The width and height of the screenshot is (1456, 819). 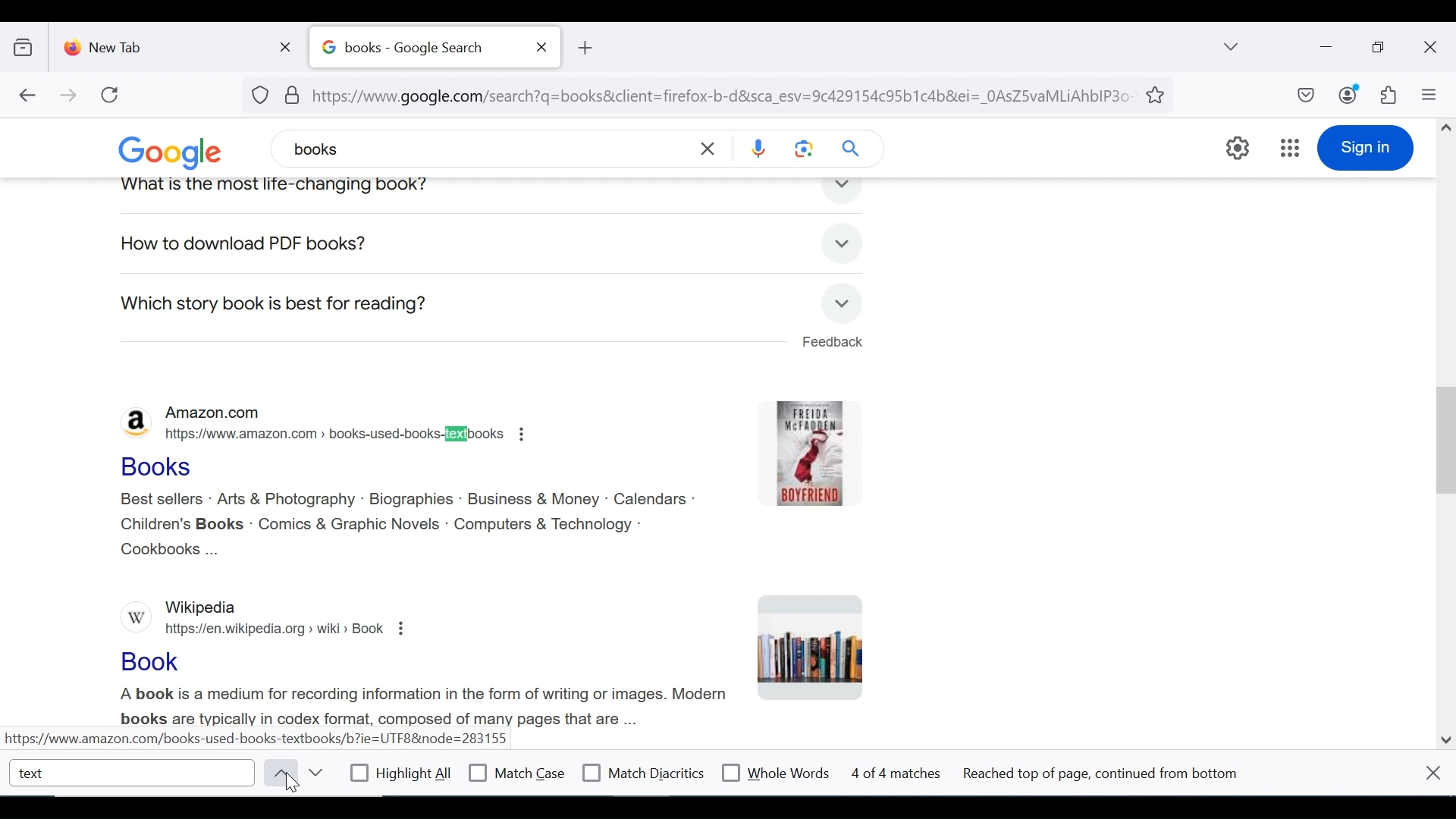 What do you see at coordinates (831, 343) in the screenshot?
I see `fedback` at bounding box center [831, 343].